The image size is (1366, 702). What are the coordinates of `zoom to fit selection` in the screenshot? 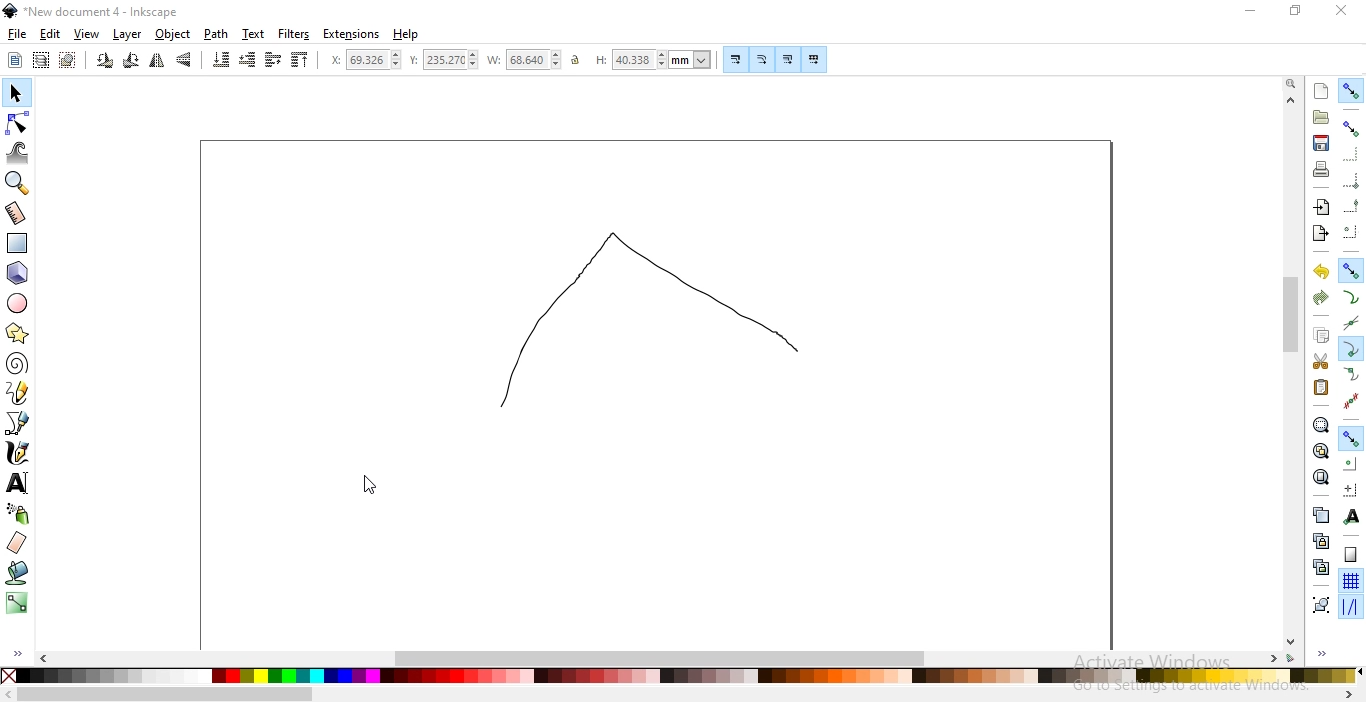 It's located at (1319, 424).